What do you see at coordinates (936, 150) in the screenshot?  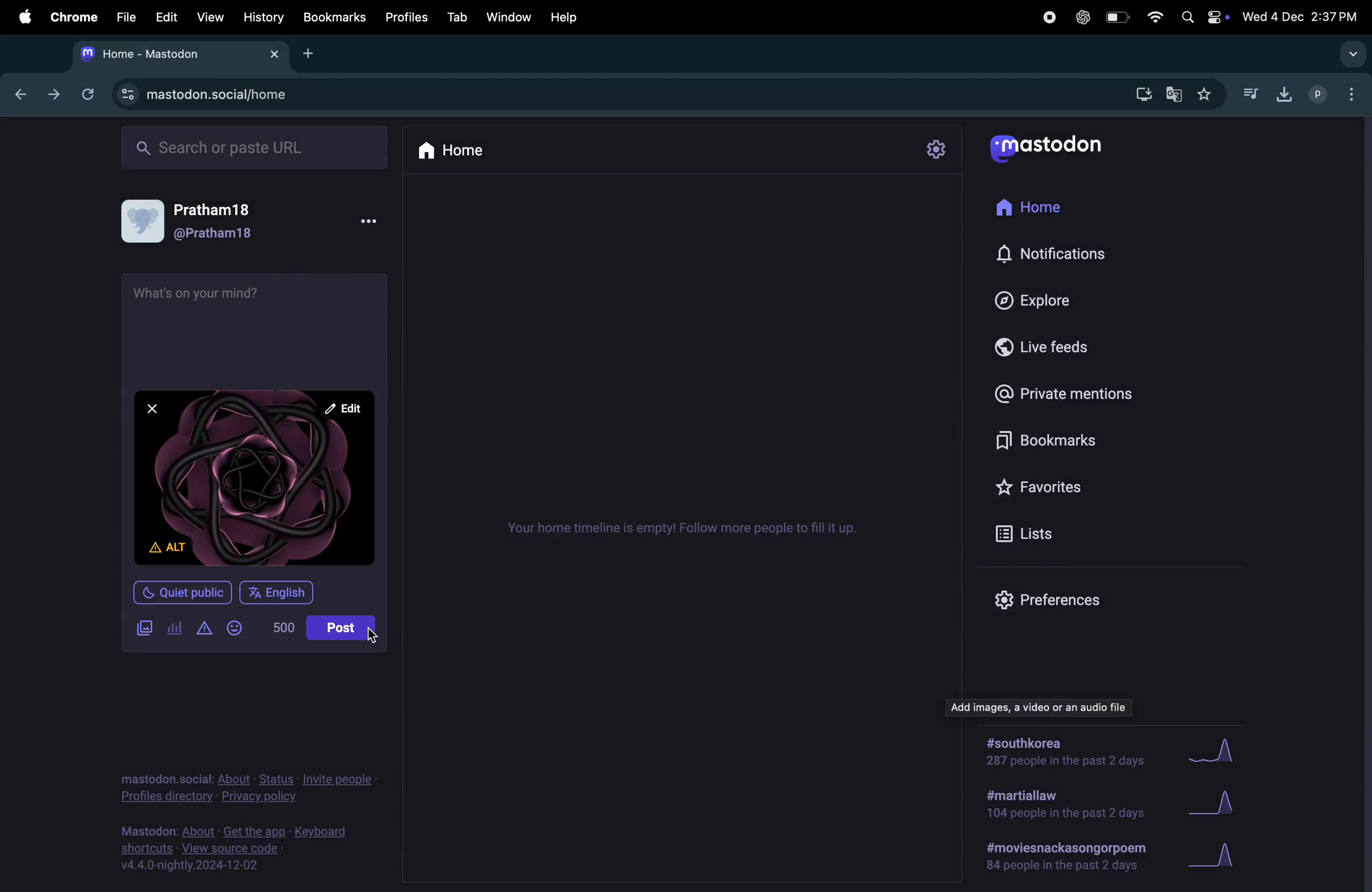 I see `Settings` at bounding box center [936, 150].